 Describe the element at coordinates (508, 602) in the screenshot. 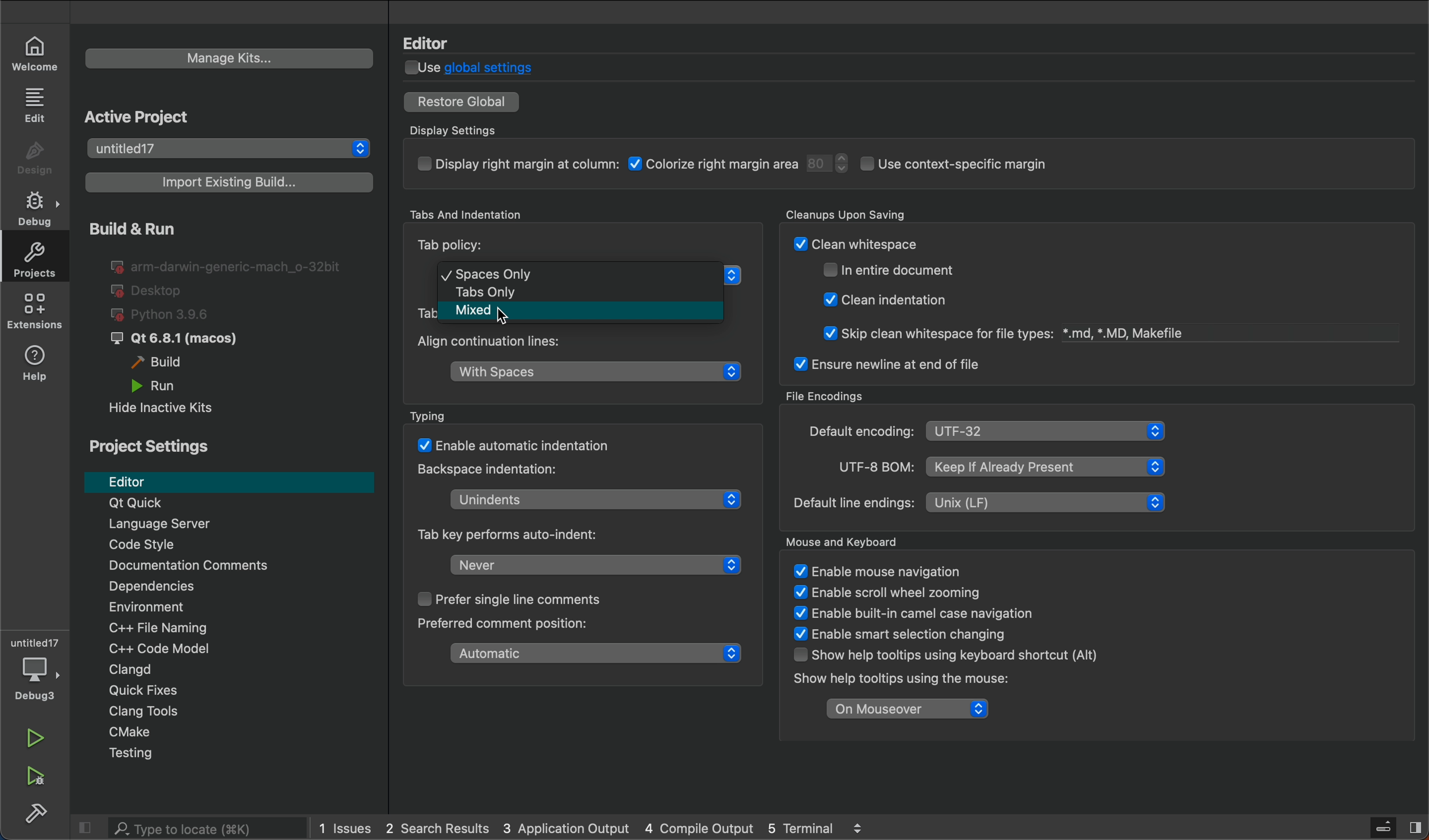

I see `prefer single line comment` at that location.